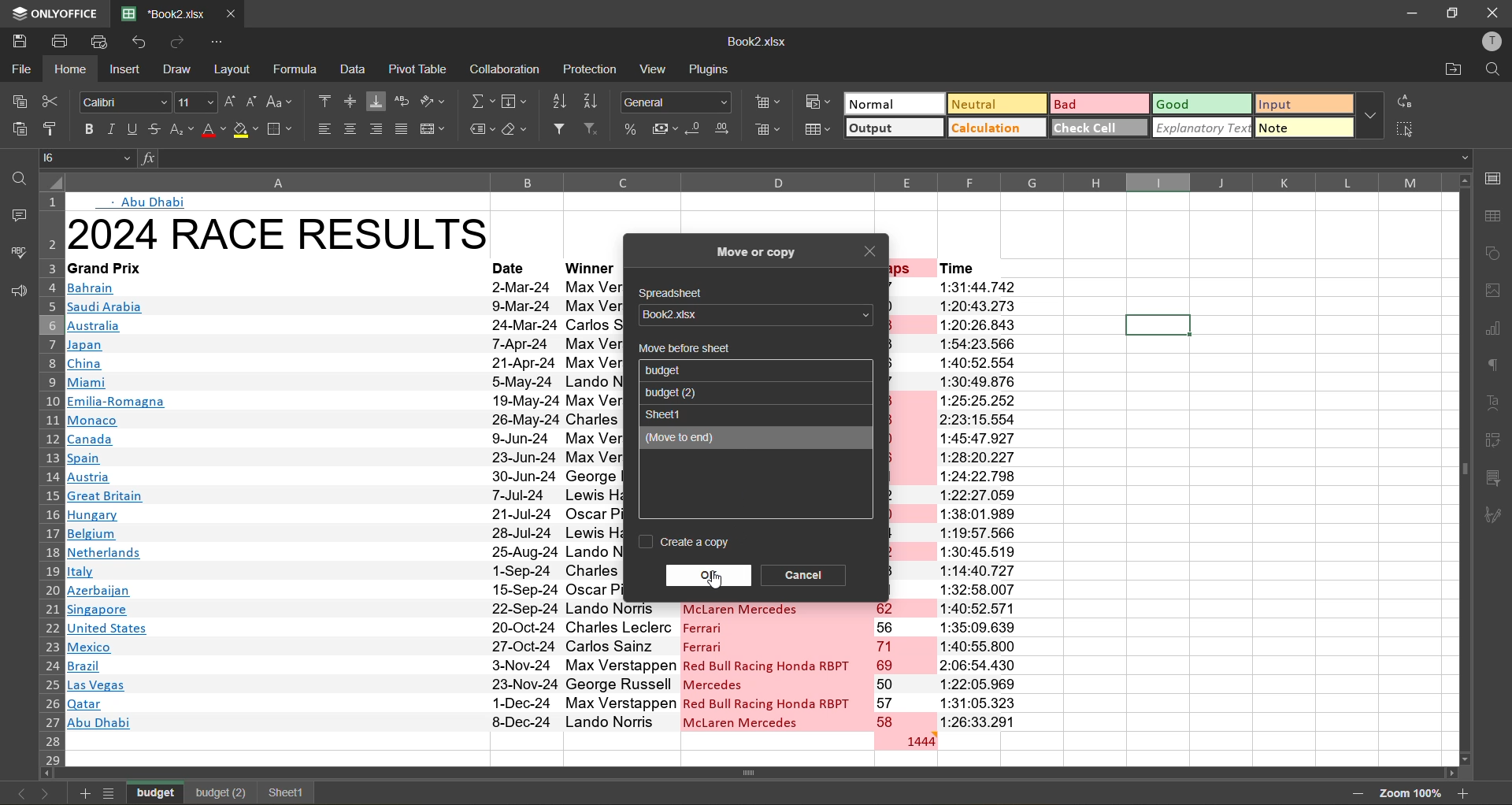  I want to click on cell address, so click(90, 157).